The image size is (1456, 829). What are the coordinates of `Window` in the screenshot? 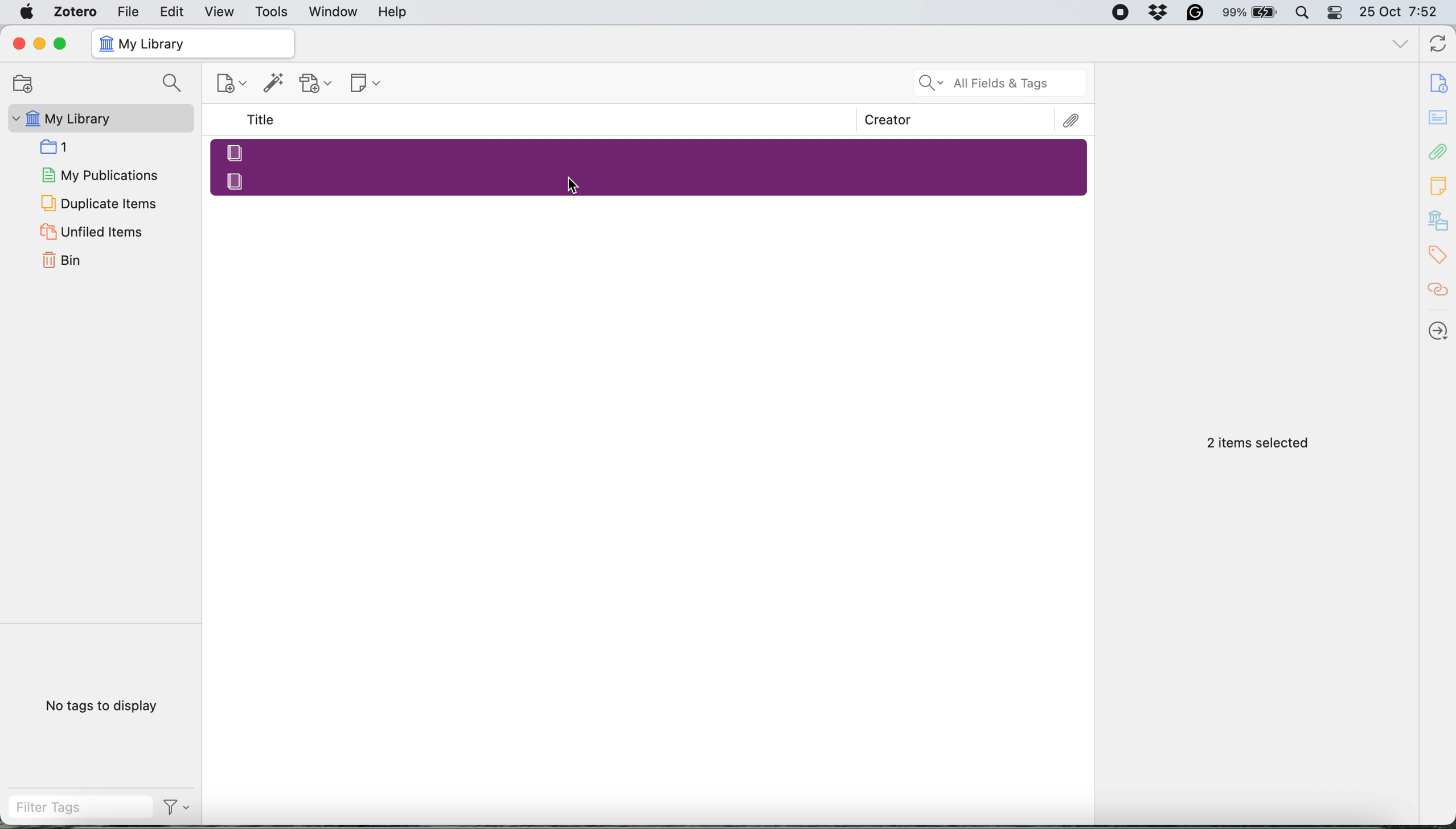 It's located at (334, 12).